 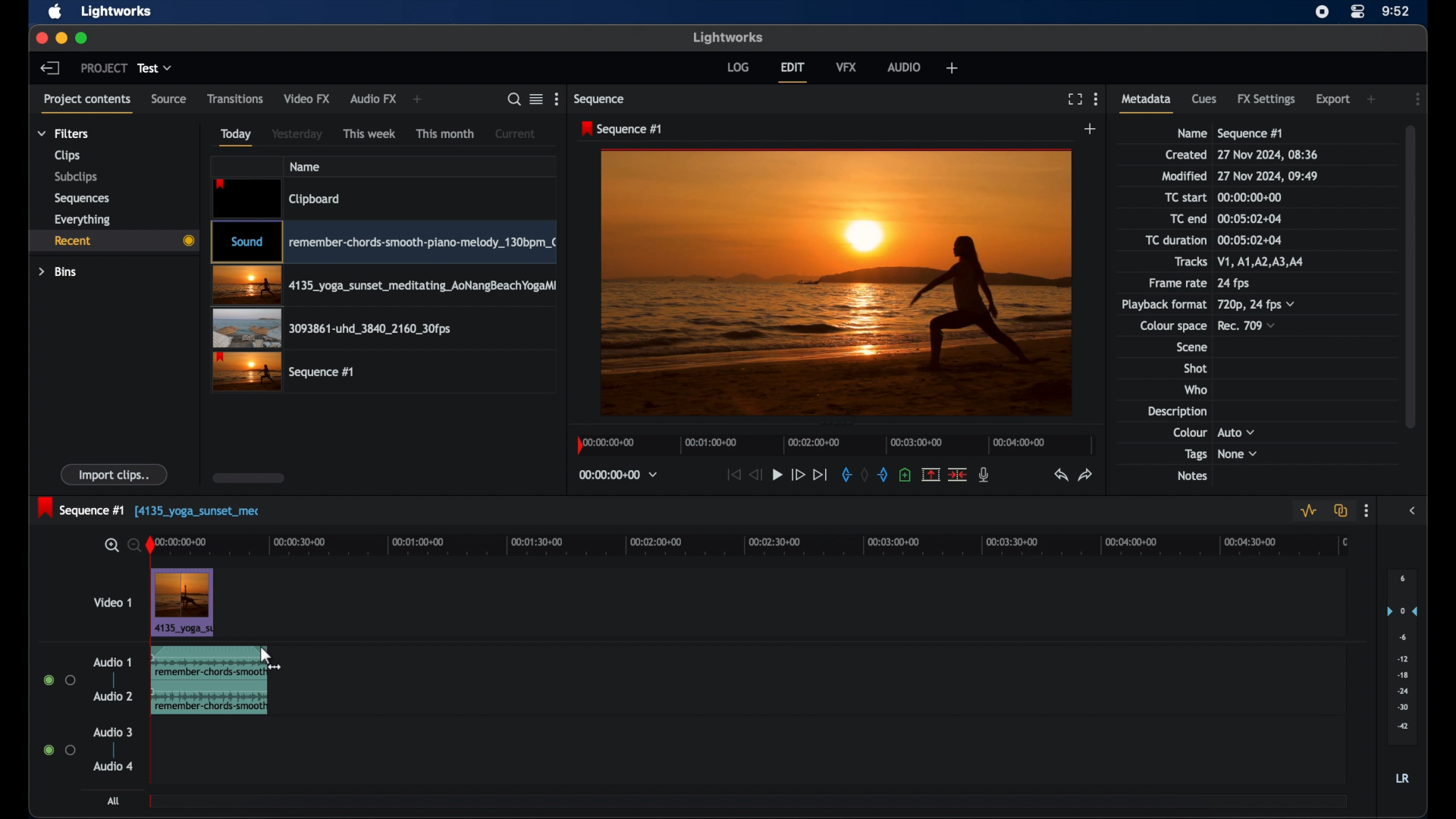 What do you see at coordinates (205, 682) in the screenshot?
I see `audio clip` at bounding box center [205, 682].